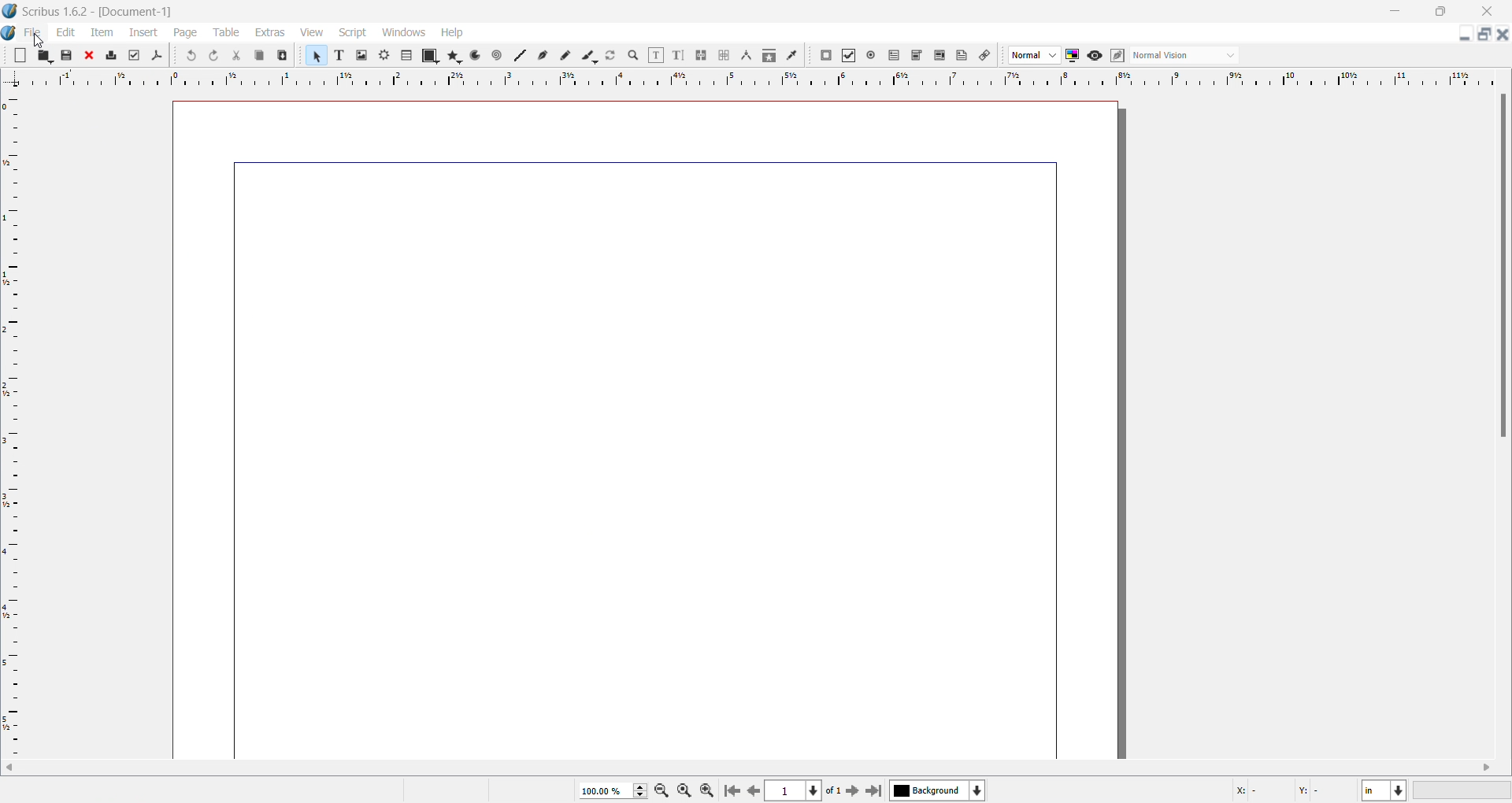 Image resolution: width=1512 pixels, height=803 pixels. I want to click on previous, so click(754, 793).